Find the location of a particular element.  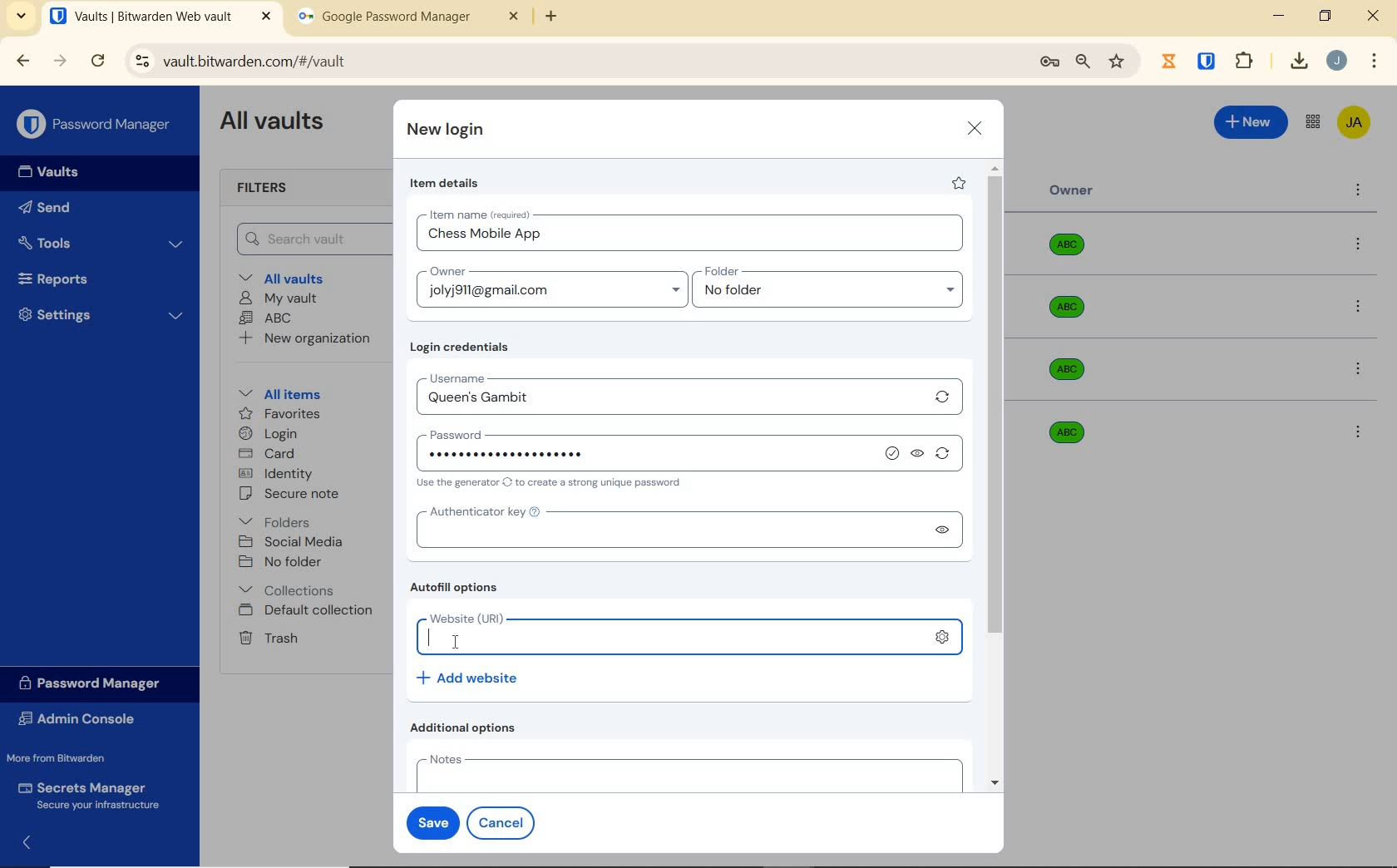

notes is located at coordinates (685, 772).